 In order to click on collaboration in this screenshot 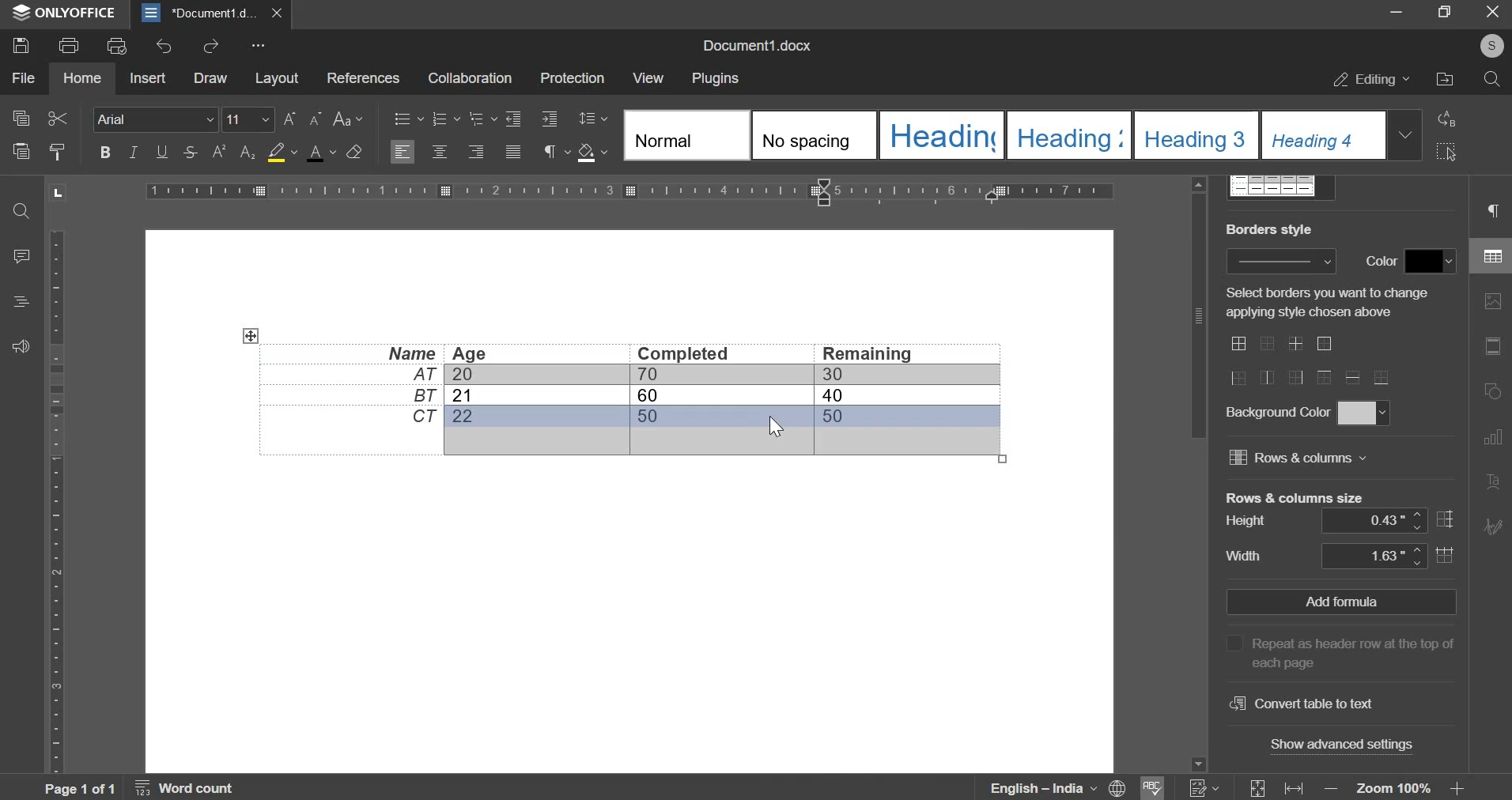, I will do `click(469, 77)`.